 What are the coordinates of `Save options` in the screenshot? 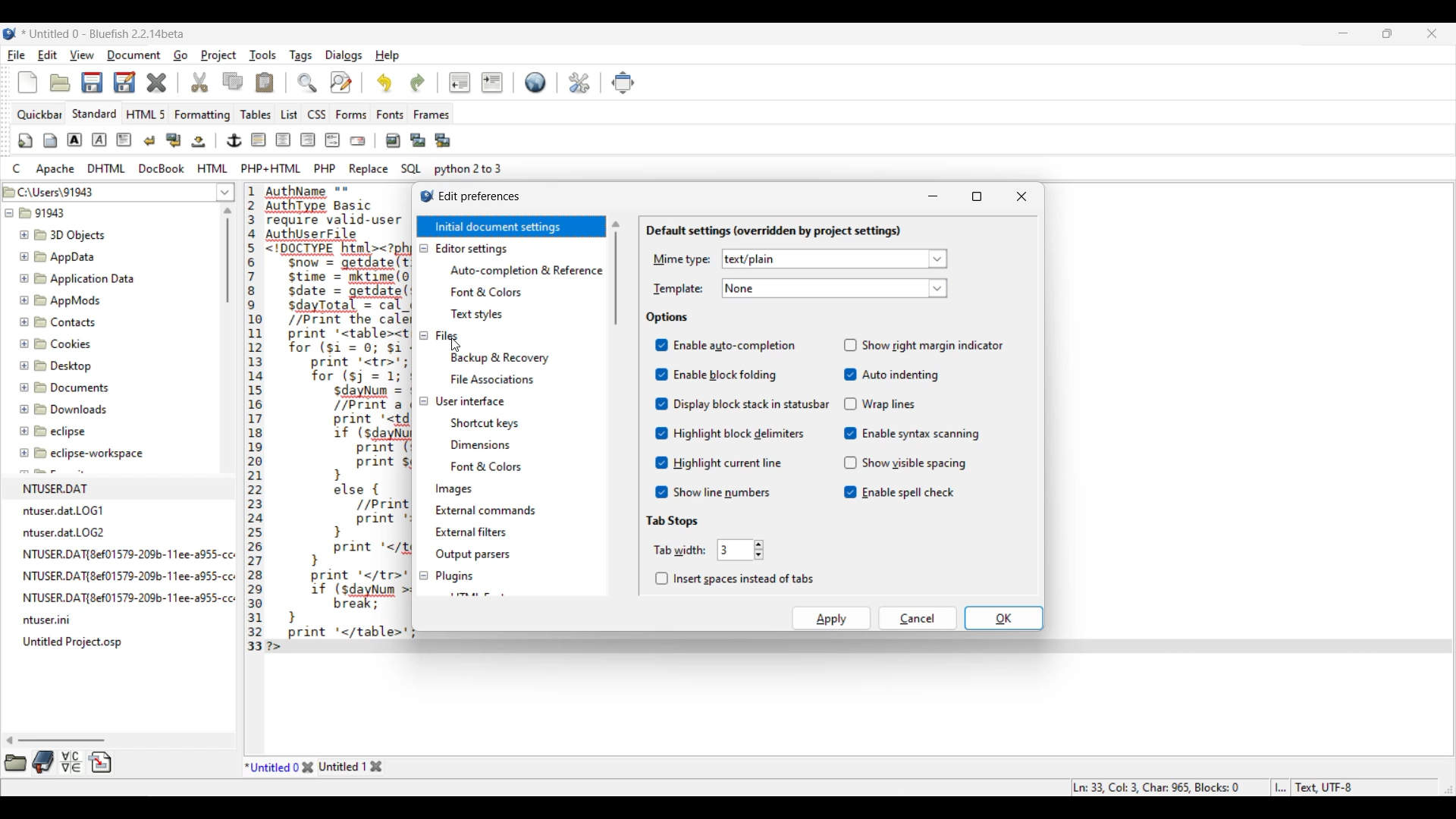 It's located at (109, 82).